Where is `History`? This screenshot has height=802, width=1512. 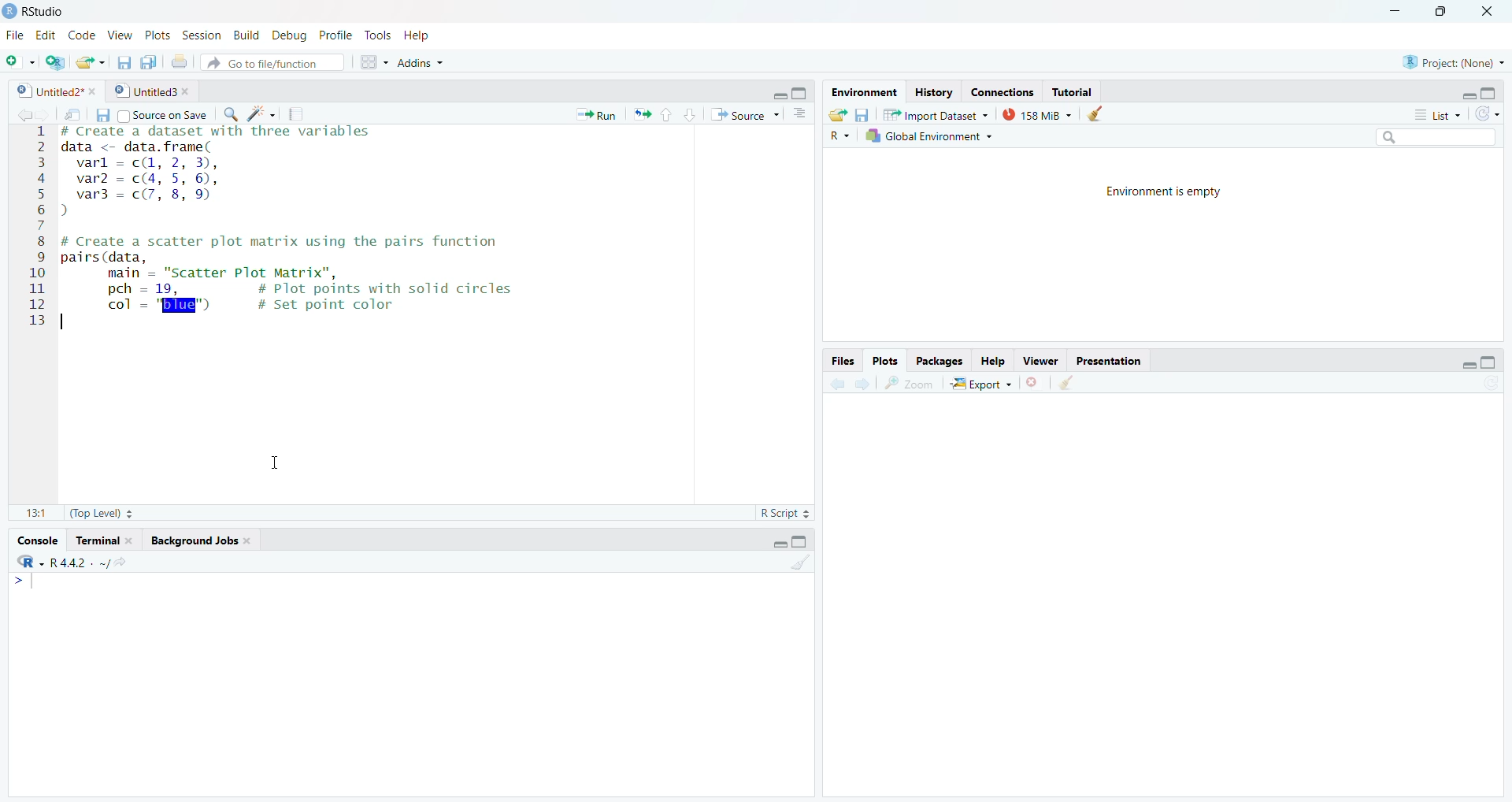 History is located at coordinates (932, 91).